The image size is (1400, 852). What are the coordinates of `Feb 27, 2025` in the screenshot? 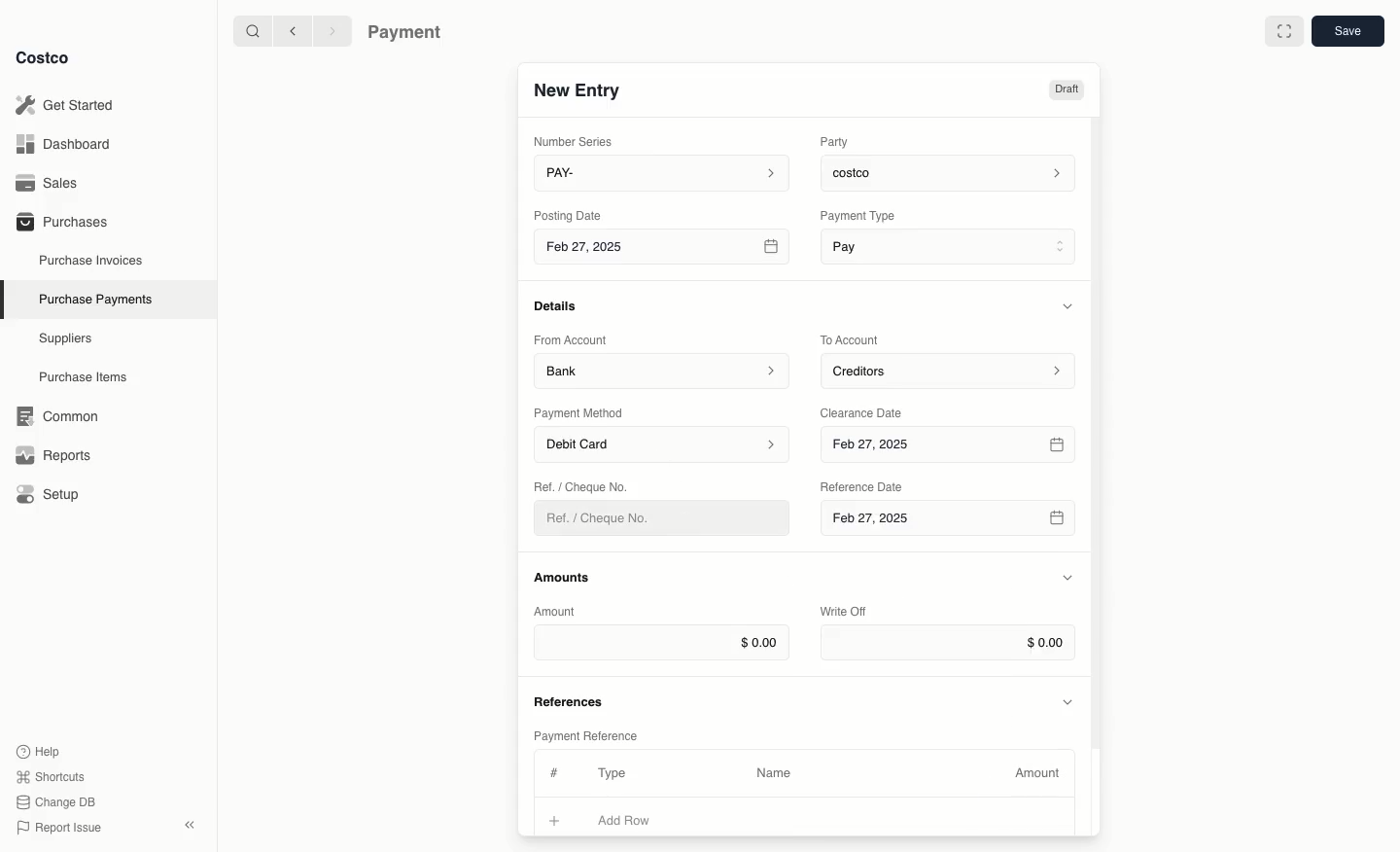 It's located at (951, 445).